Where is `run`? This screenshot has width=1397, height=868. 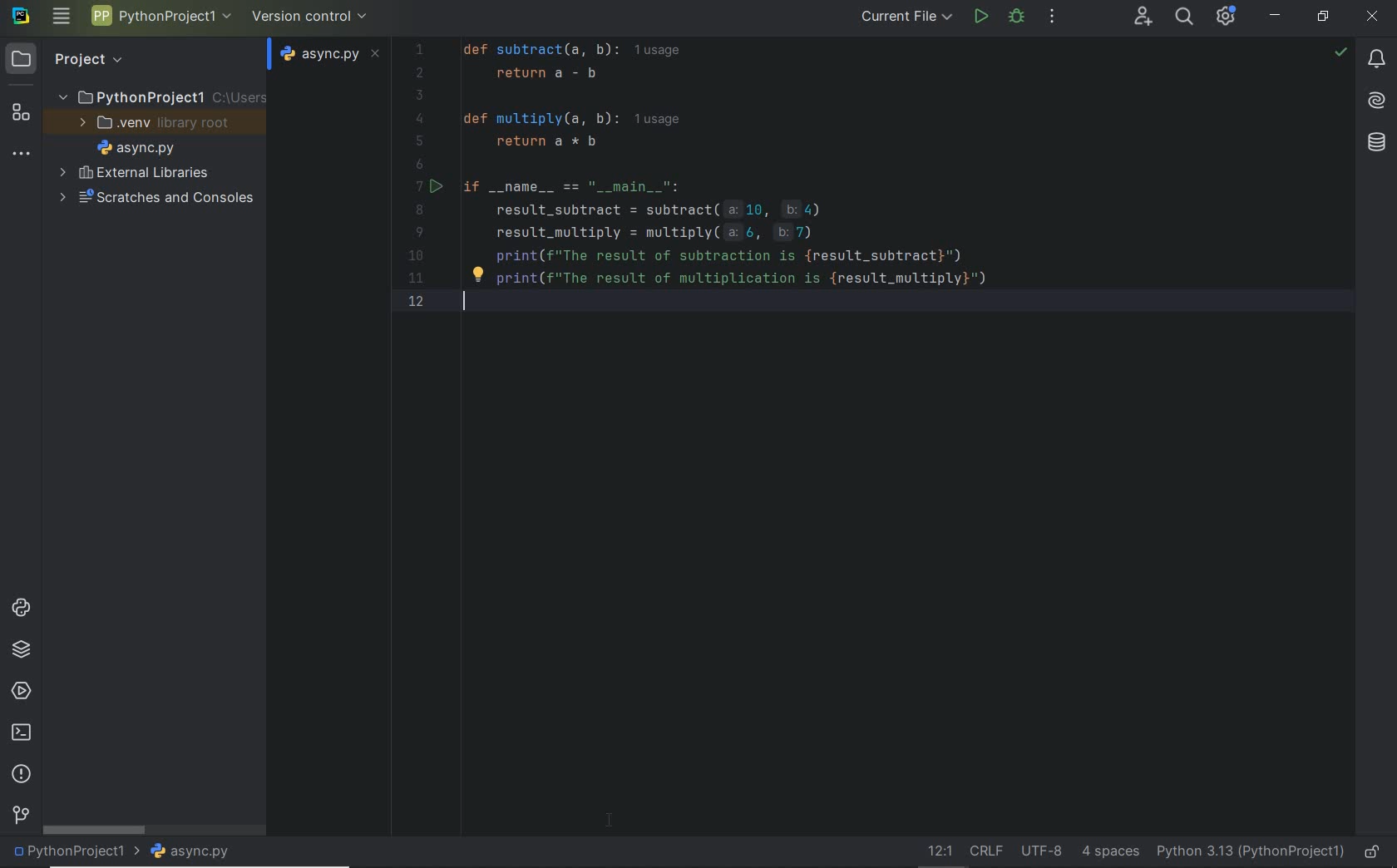 run is located at coordinates (980, 16).